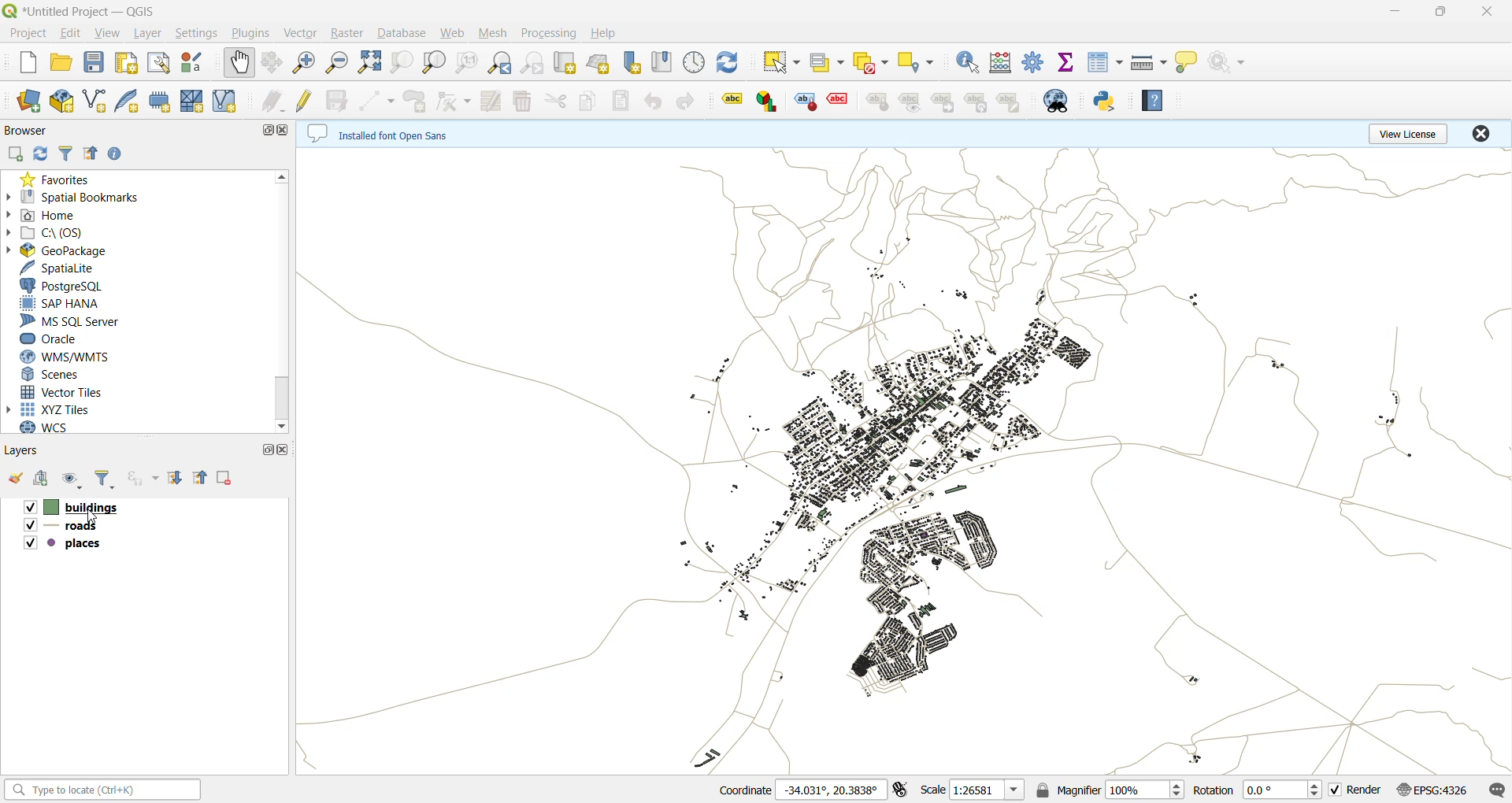 This screenshot has height=803, width=1512. Describe the element at coordinates (302, 33) in the screenshot. I see `vector` at that location.